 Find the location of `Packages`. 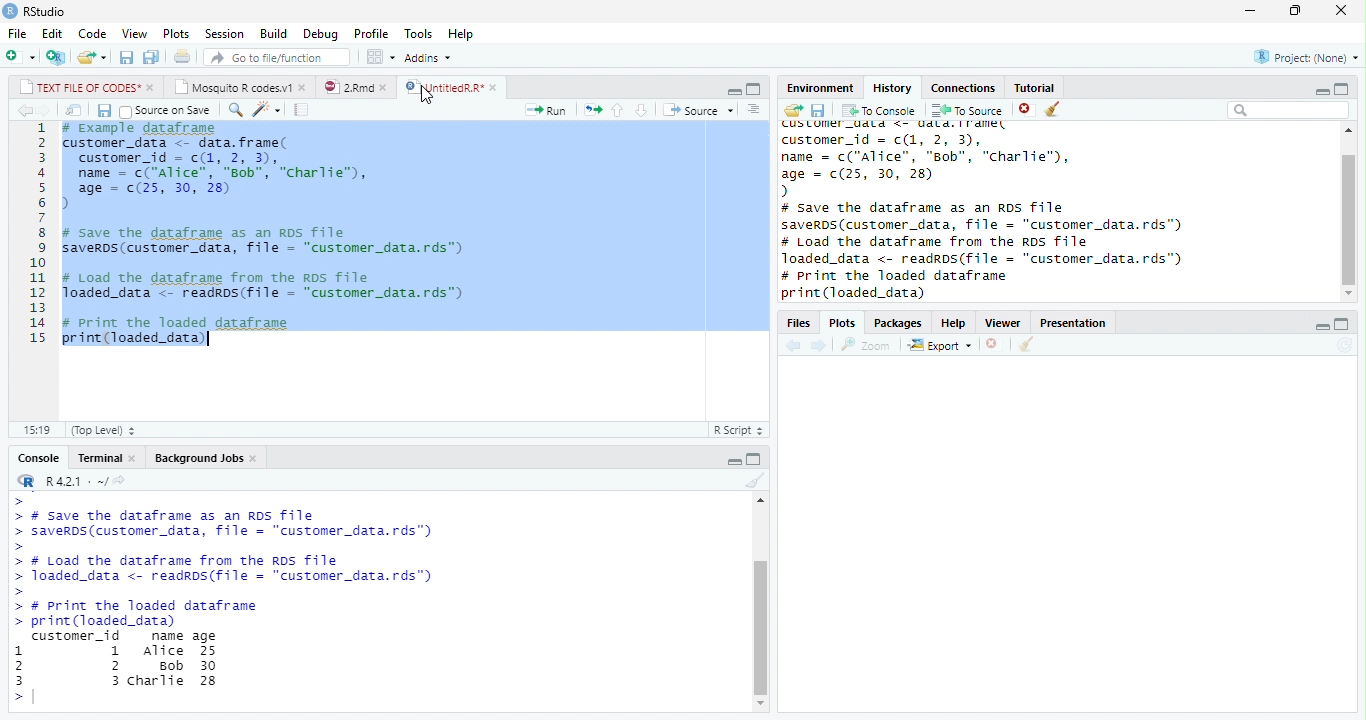

Packages is located at coordinates (895, 324).